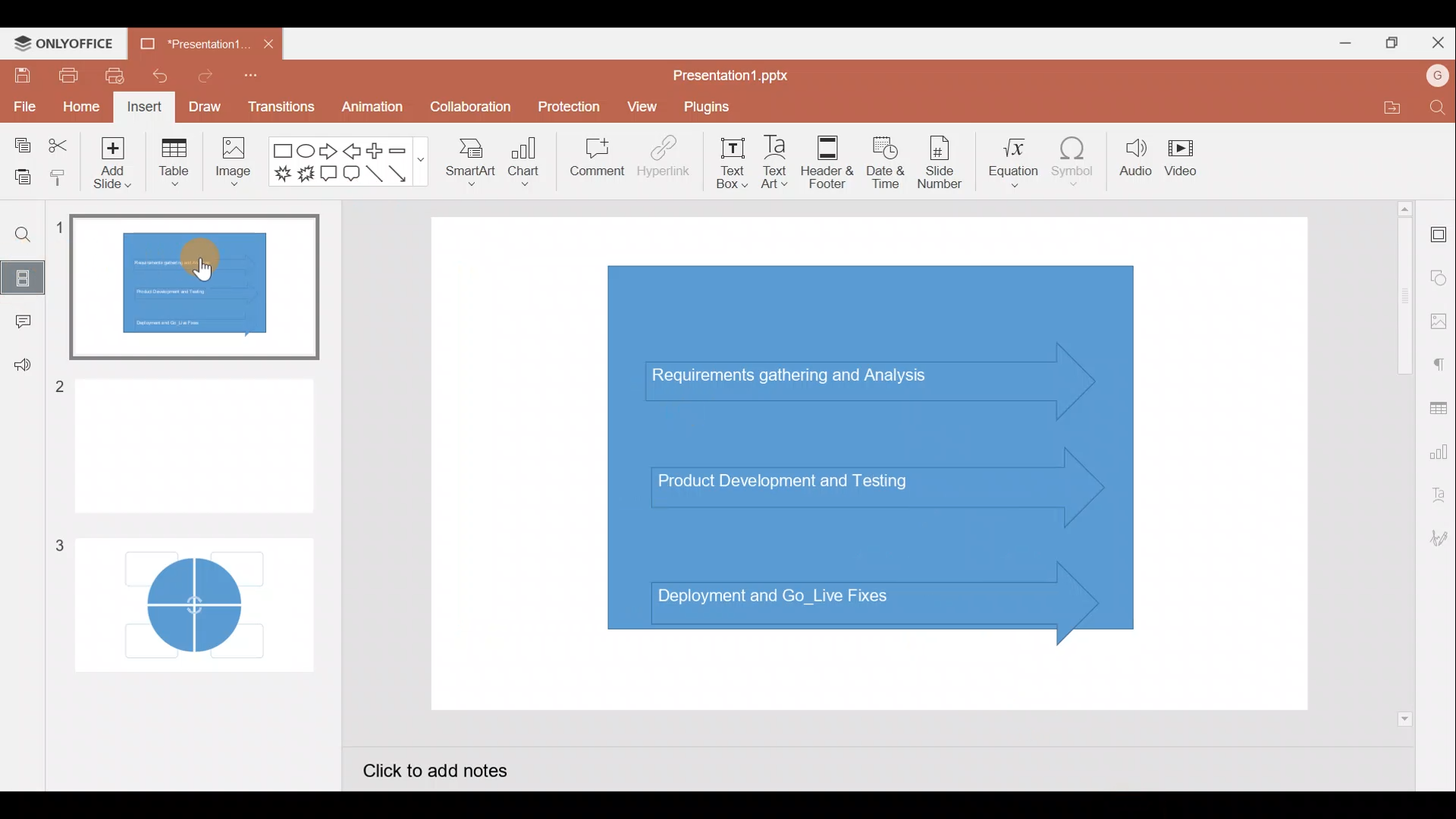 This screenshot has height=819, width=1456. What do you see at coordinates (375, 149) in the screenshot?
I see `Plus` at bounding box center [375, 149].